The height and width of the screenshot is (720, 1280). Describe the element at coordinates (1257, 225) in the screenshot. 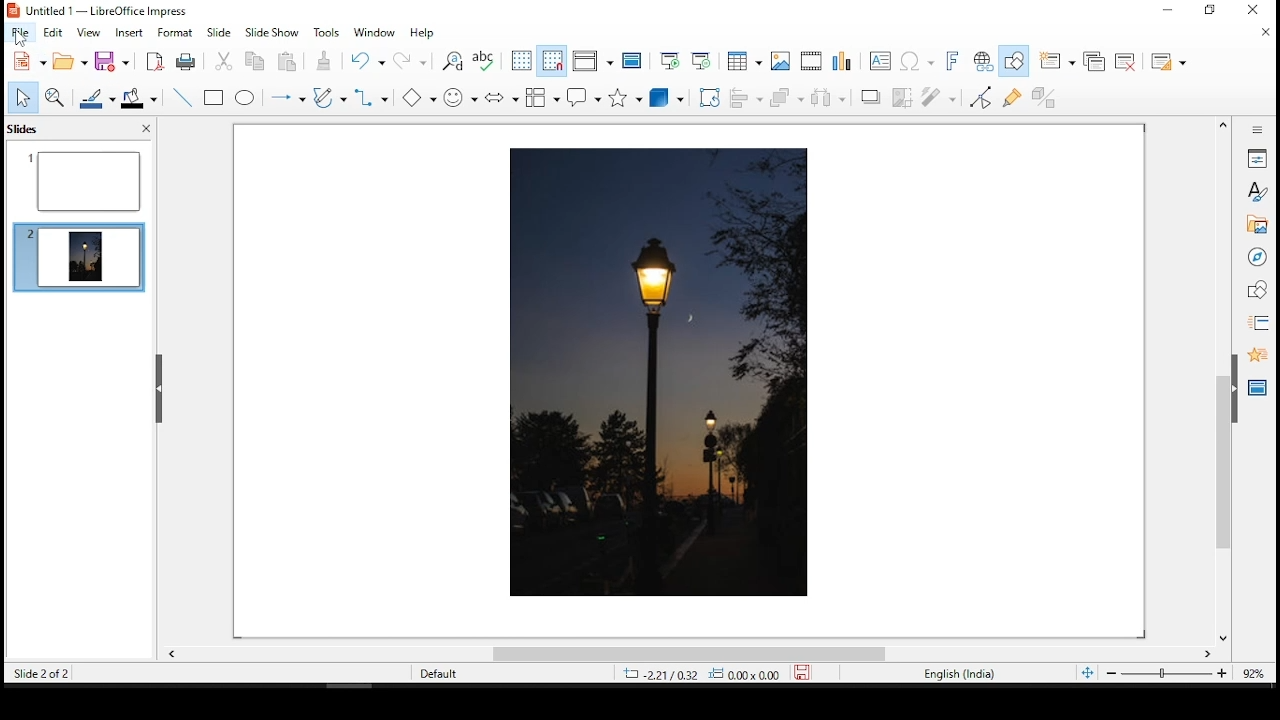

I see `gallery` at that location.